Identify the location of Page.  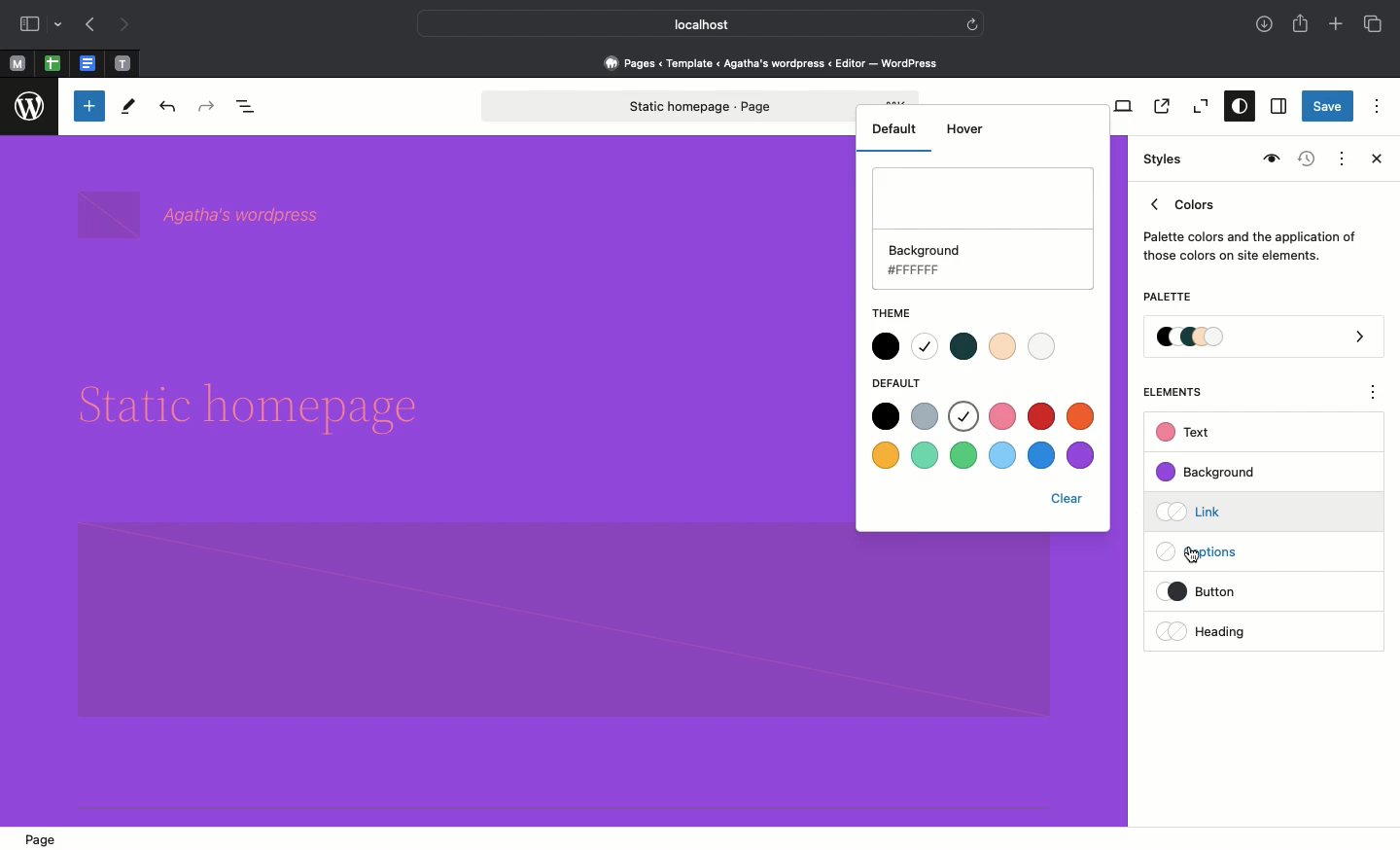
(46, 839).